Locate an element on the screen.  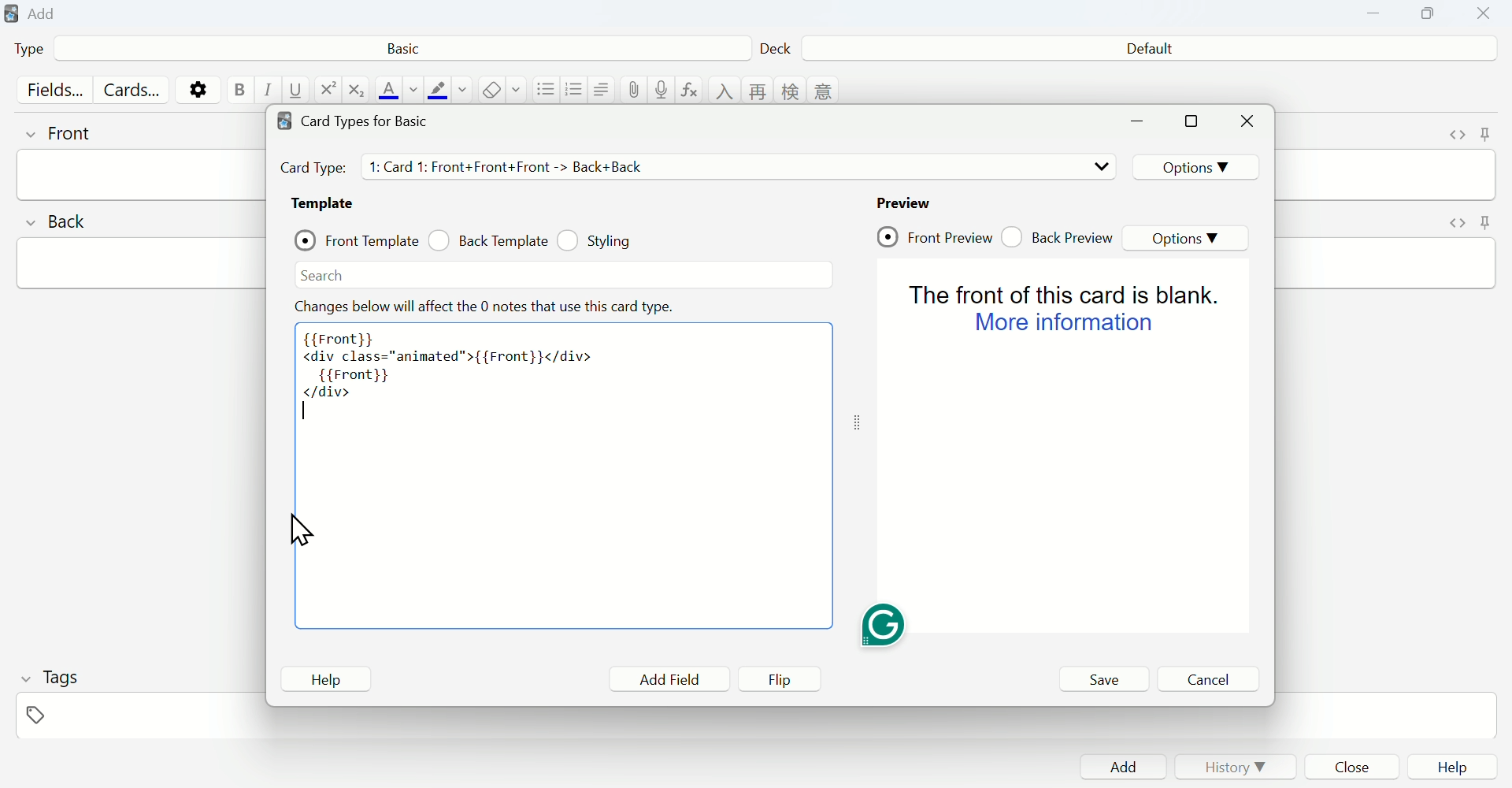
change color is located at coordinates (413, 90).